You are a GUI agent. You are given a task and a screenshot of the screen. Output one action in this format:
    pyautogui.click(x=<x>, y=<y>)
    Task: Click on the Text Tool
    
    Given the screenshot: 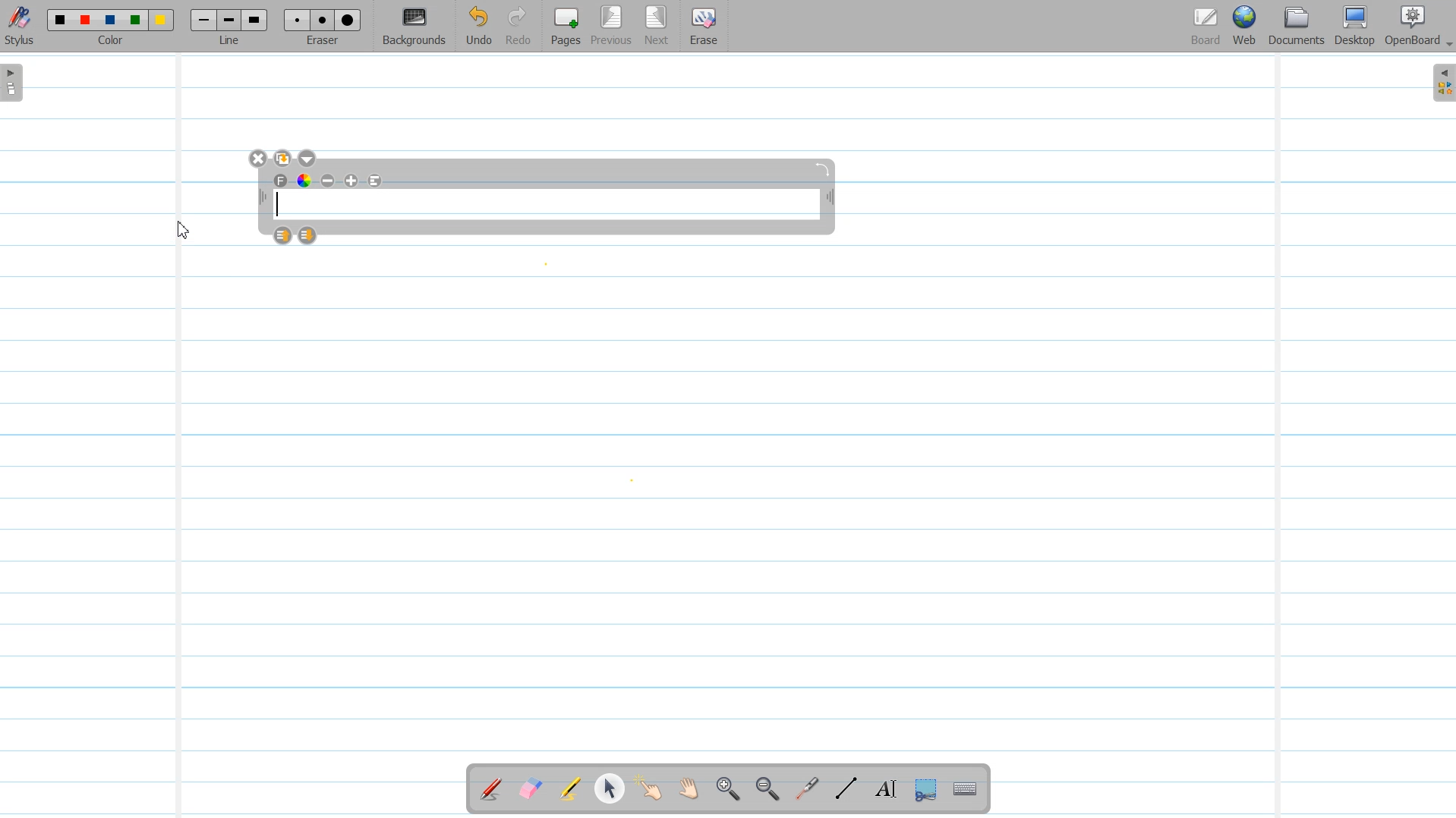 What is the action you would take?
    pyautogui.click(x=883, y=789)
    